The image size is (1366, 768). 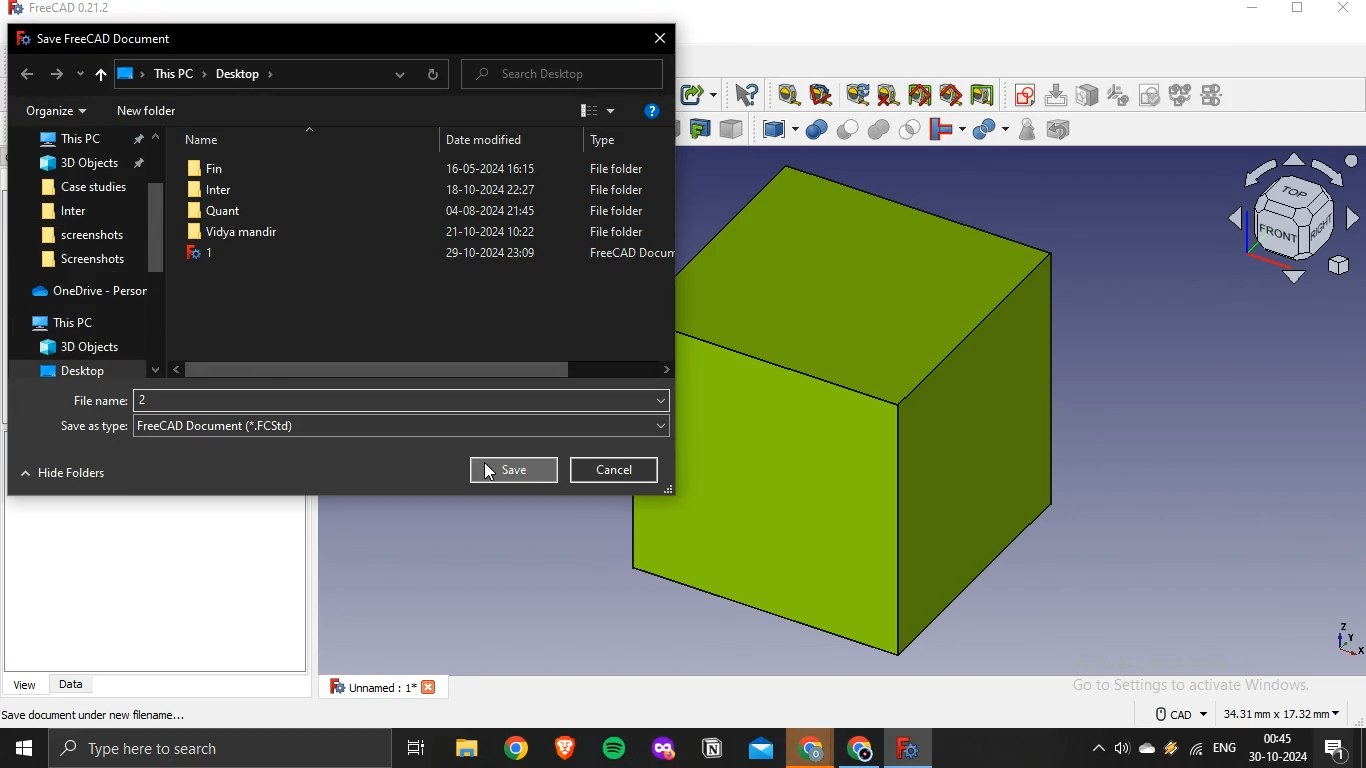 I want to click on make sublink, so click(x=697, y=93).